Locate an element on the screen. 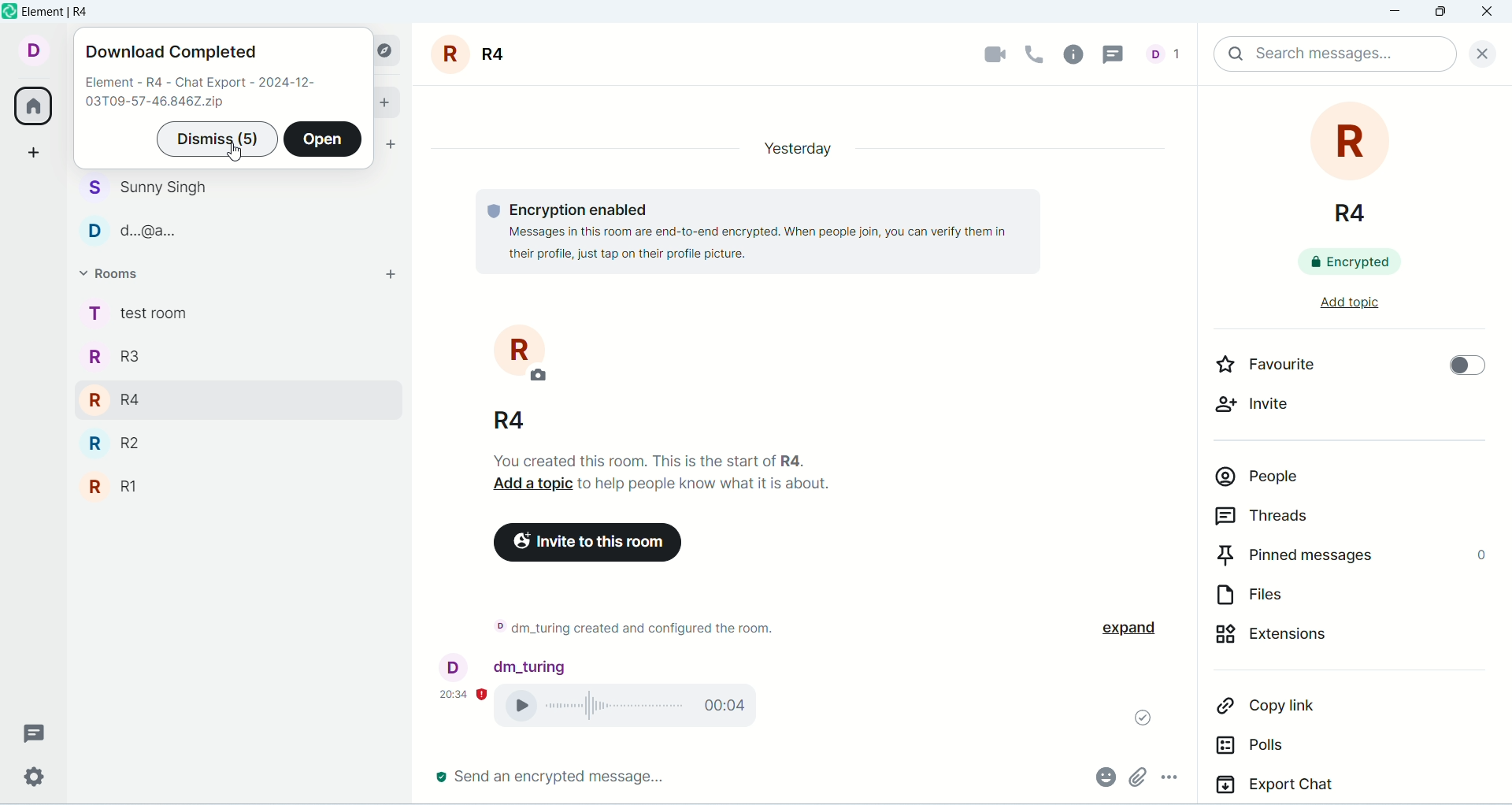 The image size is (1512, 805). vertical scroll bar is located at coordinates (1503, 444).